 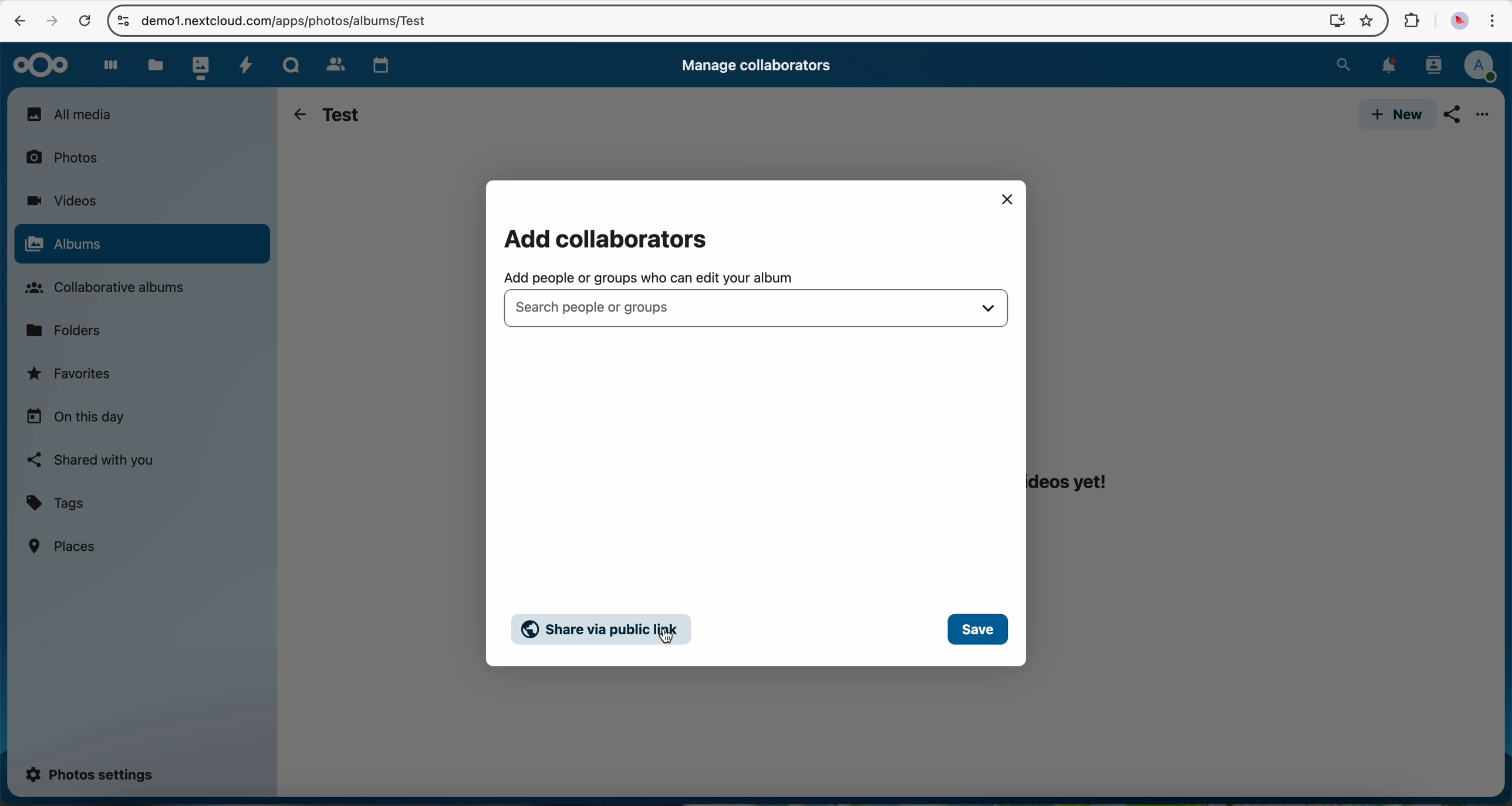 I want to click on profile, so click(x=1480, y=67).